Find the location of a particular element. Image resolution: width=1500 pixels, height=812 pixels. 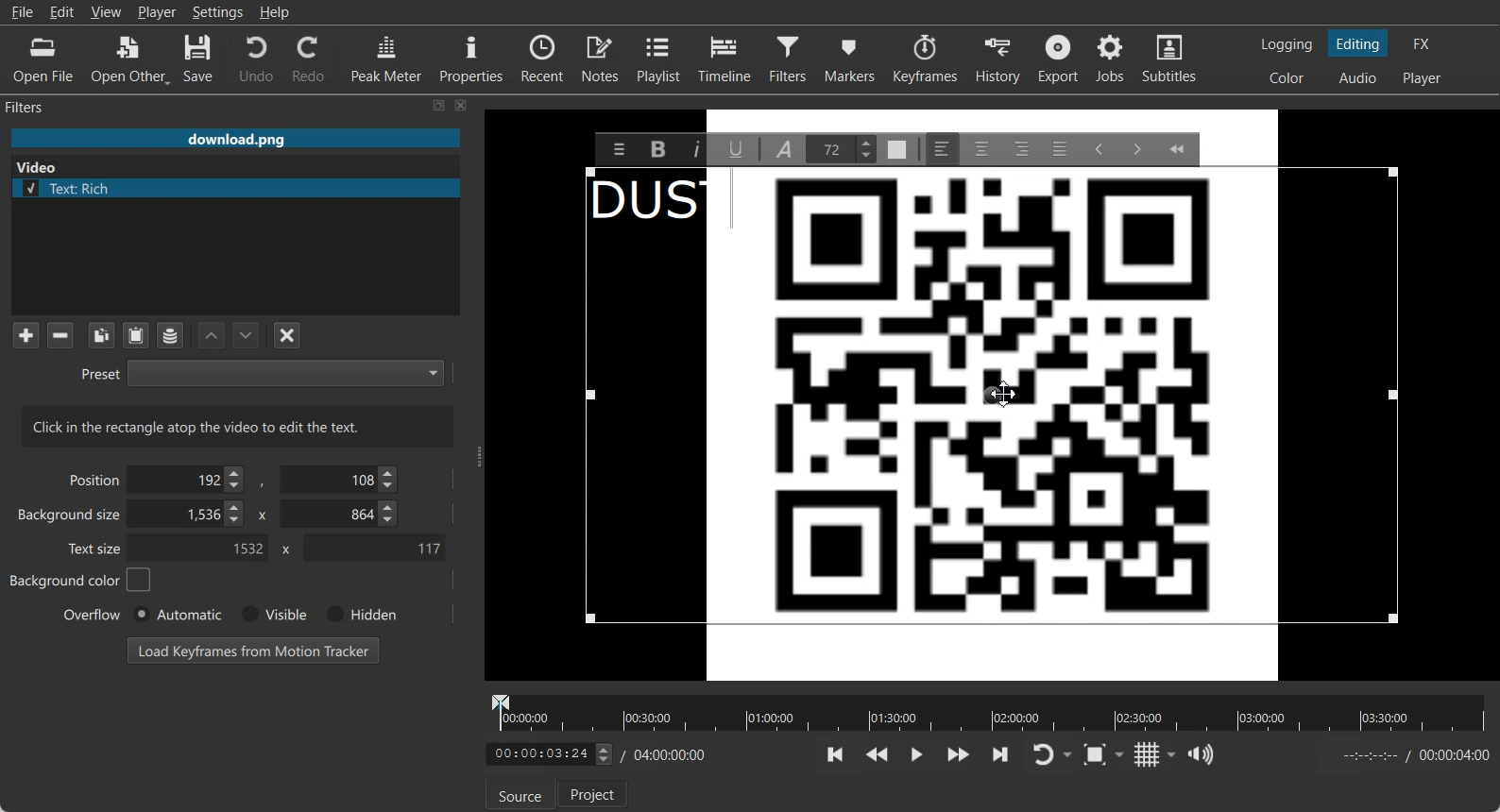

Switching to the Audio layout is located at coordinates (1359, 78).